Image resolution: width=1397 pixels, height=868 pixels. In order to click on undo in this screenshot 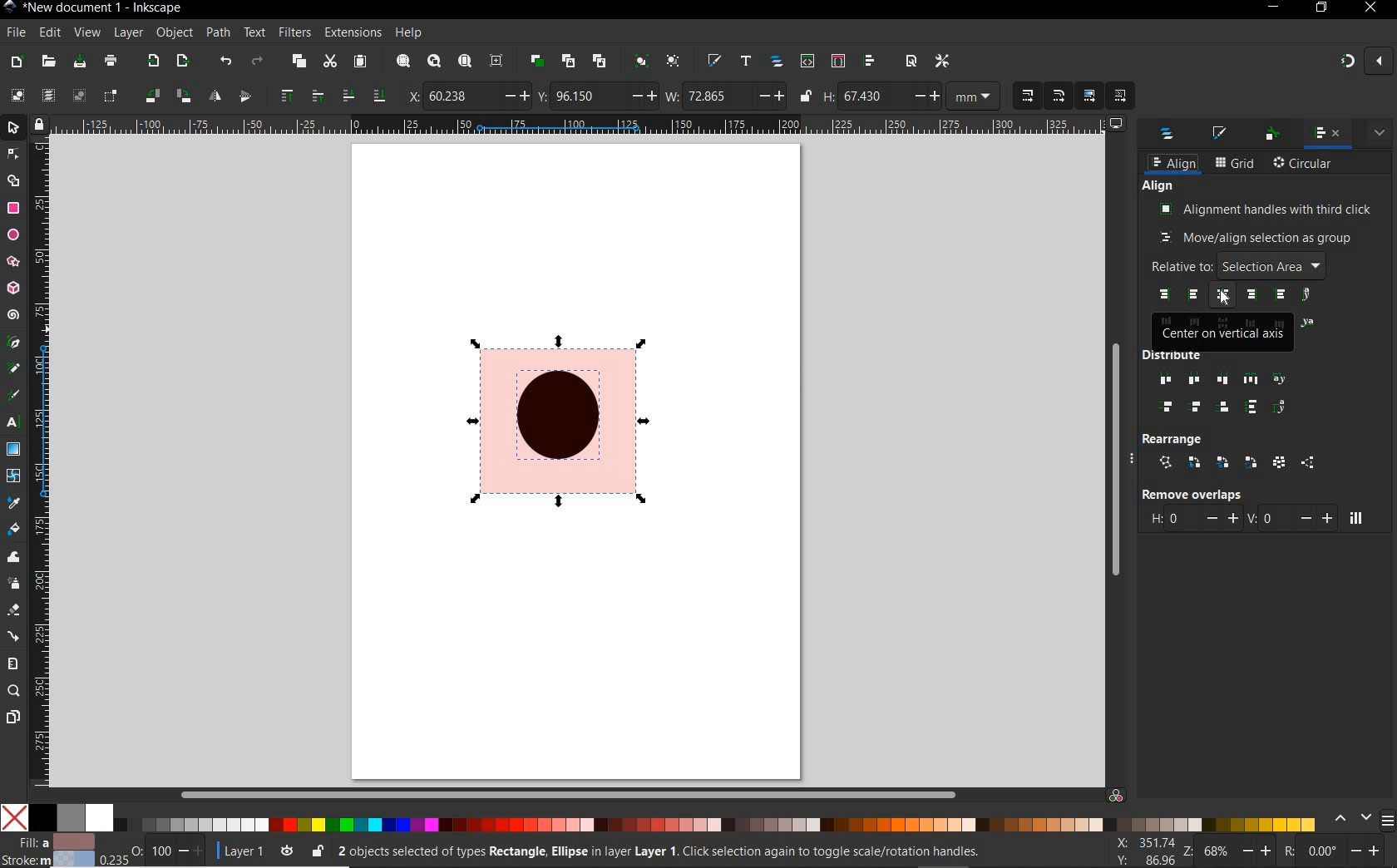, I will do `click(227, 63)`.